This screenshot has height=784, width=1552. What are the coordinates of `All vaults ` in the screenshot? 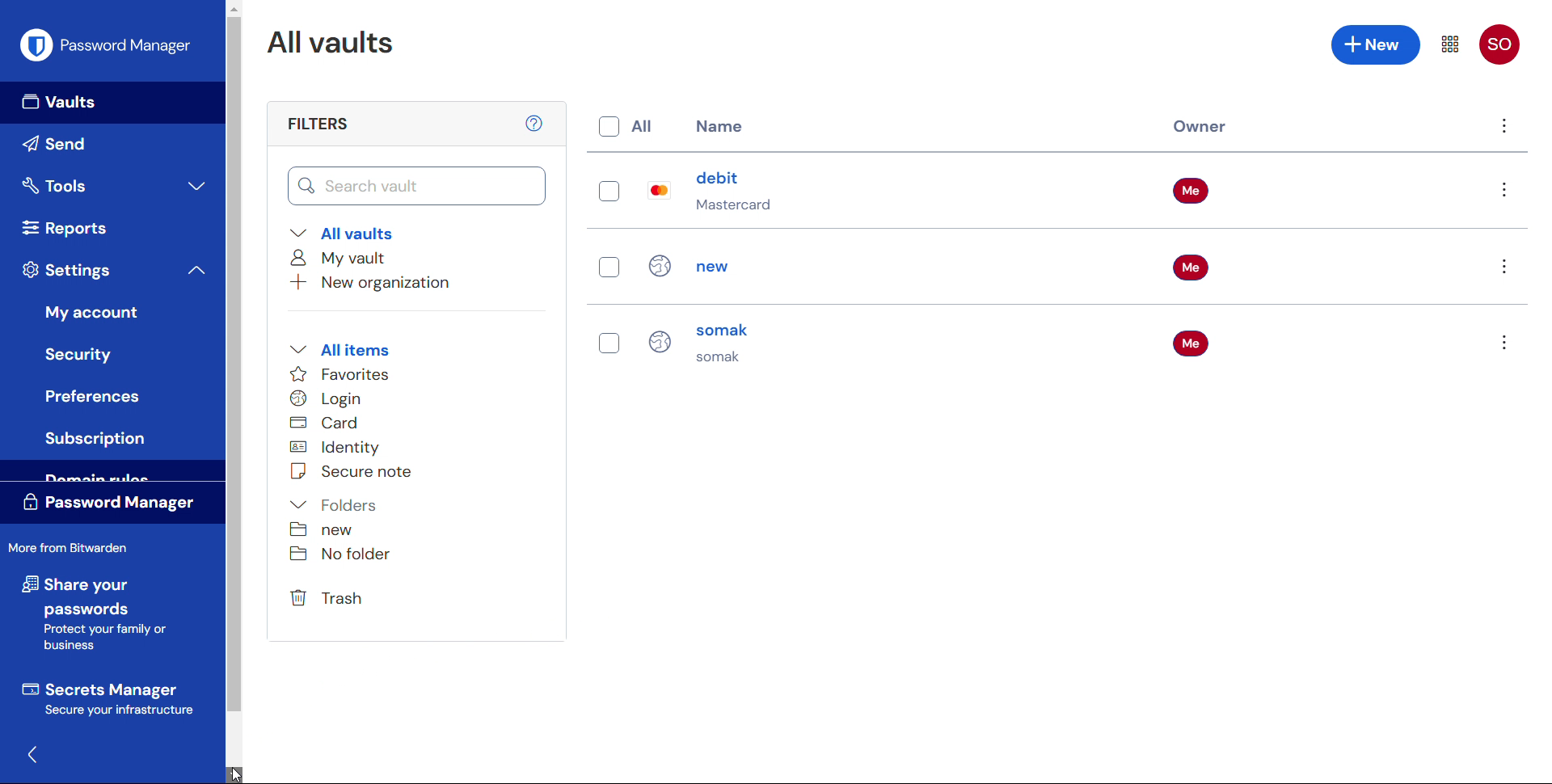 It's located at (343, 233).